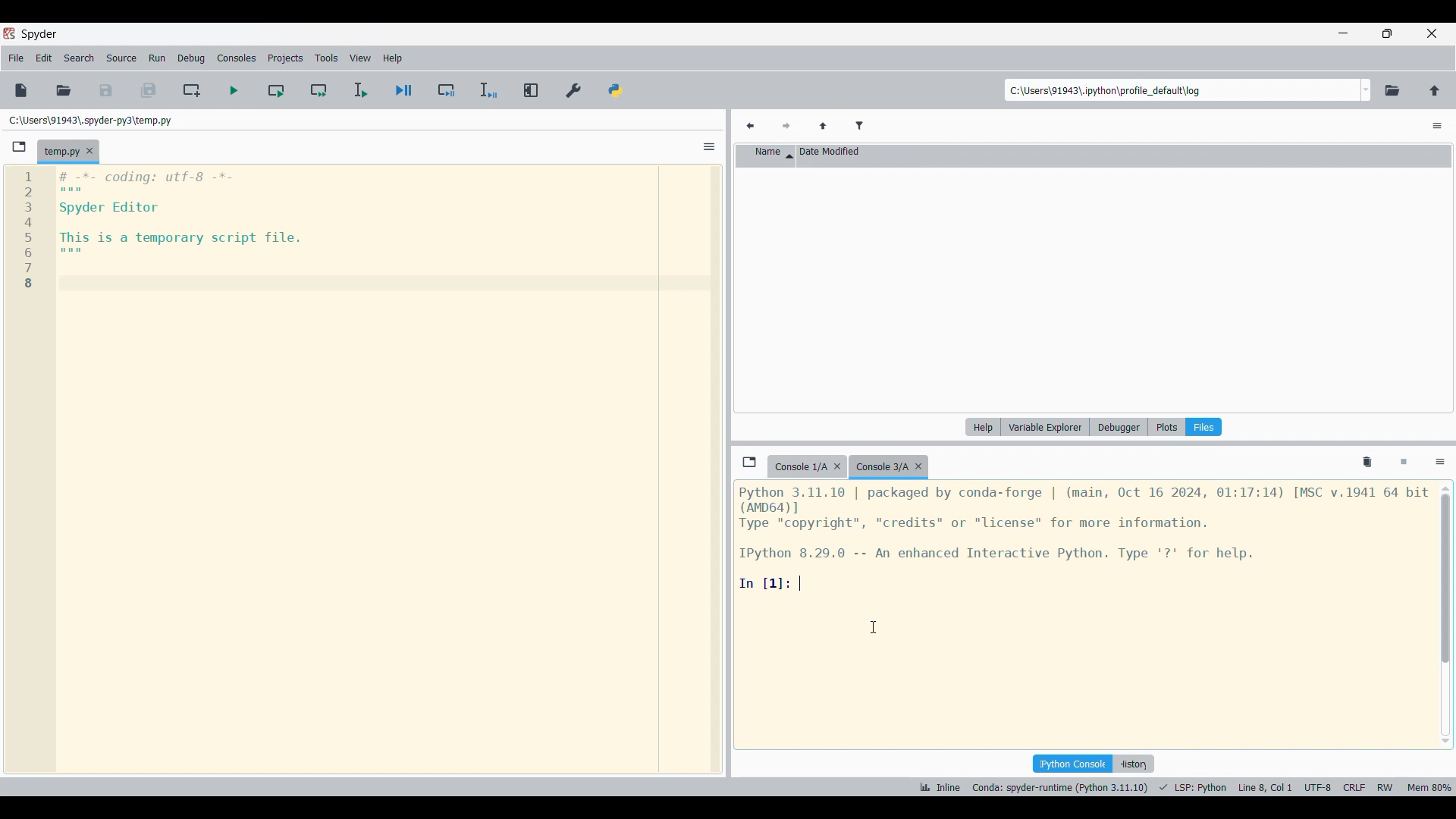  I want to click on Filter, so click(859, 127).